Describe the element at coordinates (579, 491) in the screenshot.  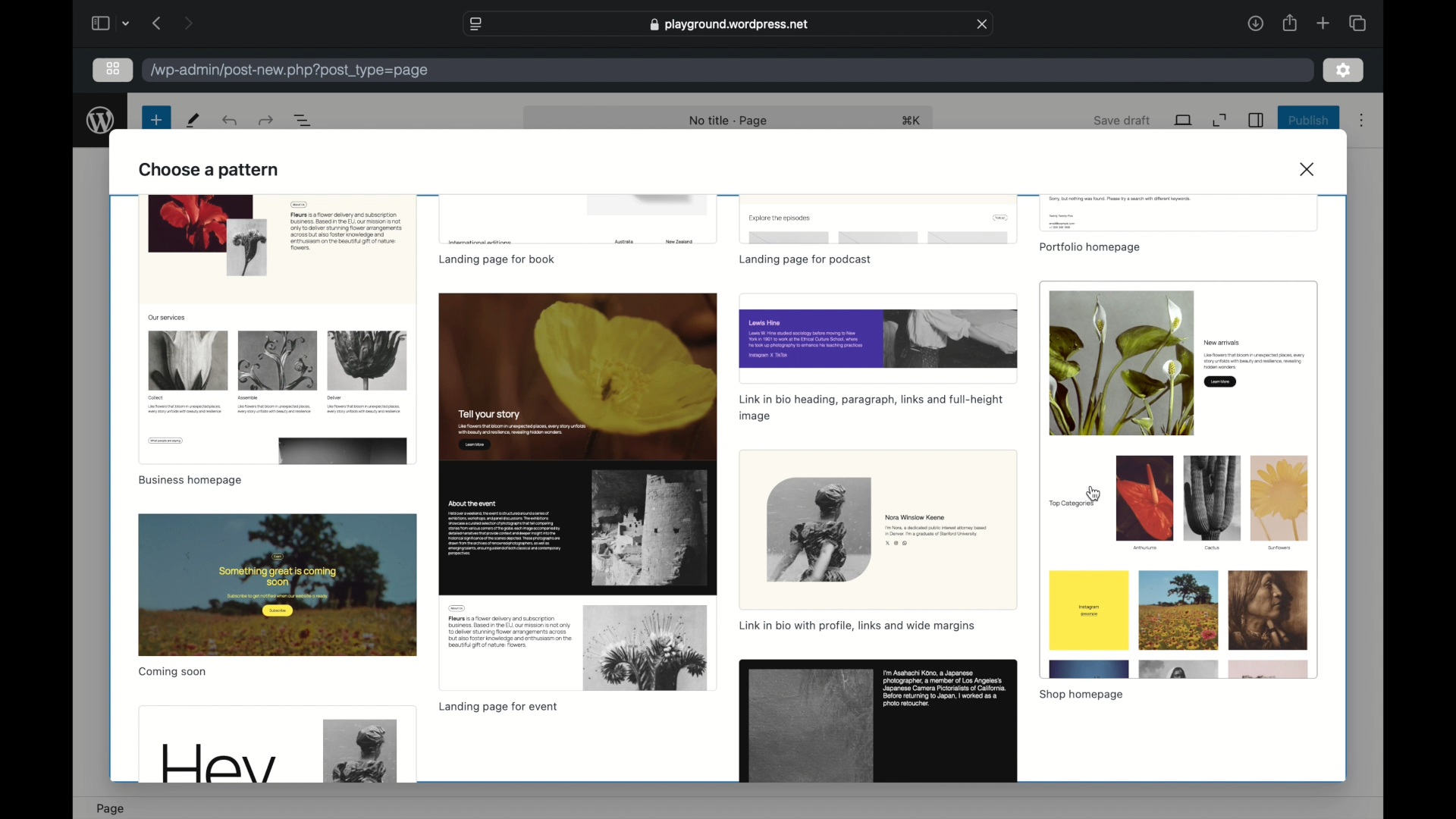
I see `preview` at that location.